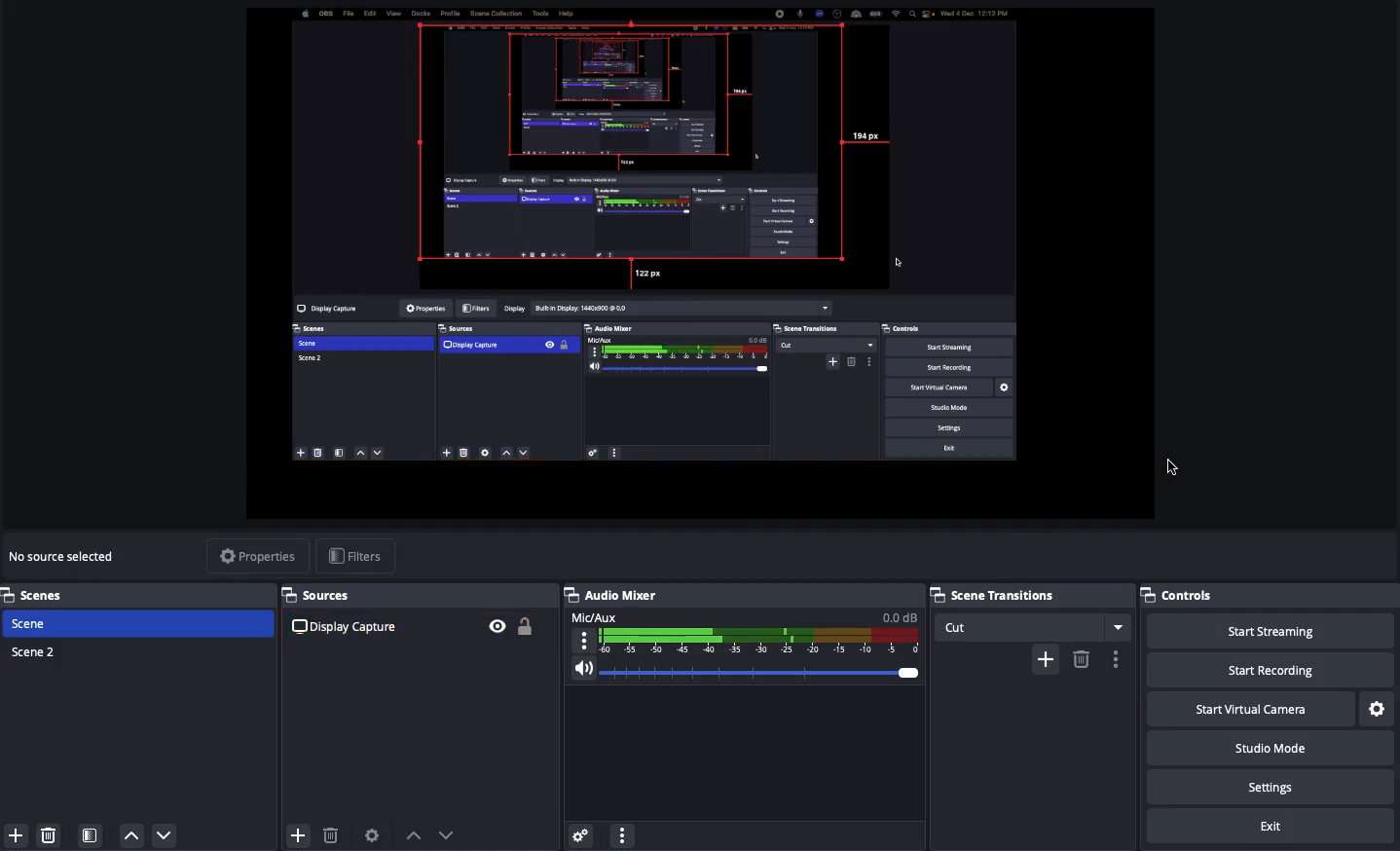  I want to click on No sources selected, so click(68, 556).